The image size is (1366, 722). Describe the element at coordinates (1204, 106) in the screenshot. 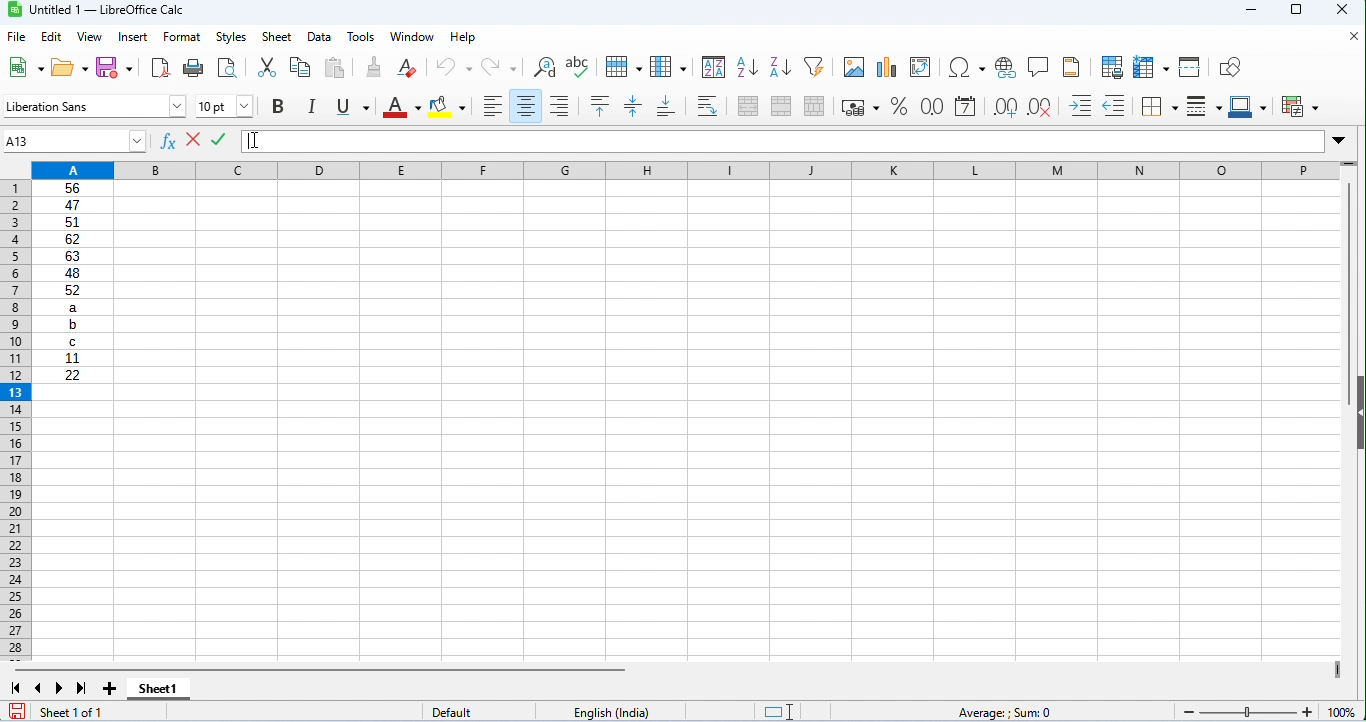

I see `border style` at that location.